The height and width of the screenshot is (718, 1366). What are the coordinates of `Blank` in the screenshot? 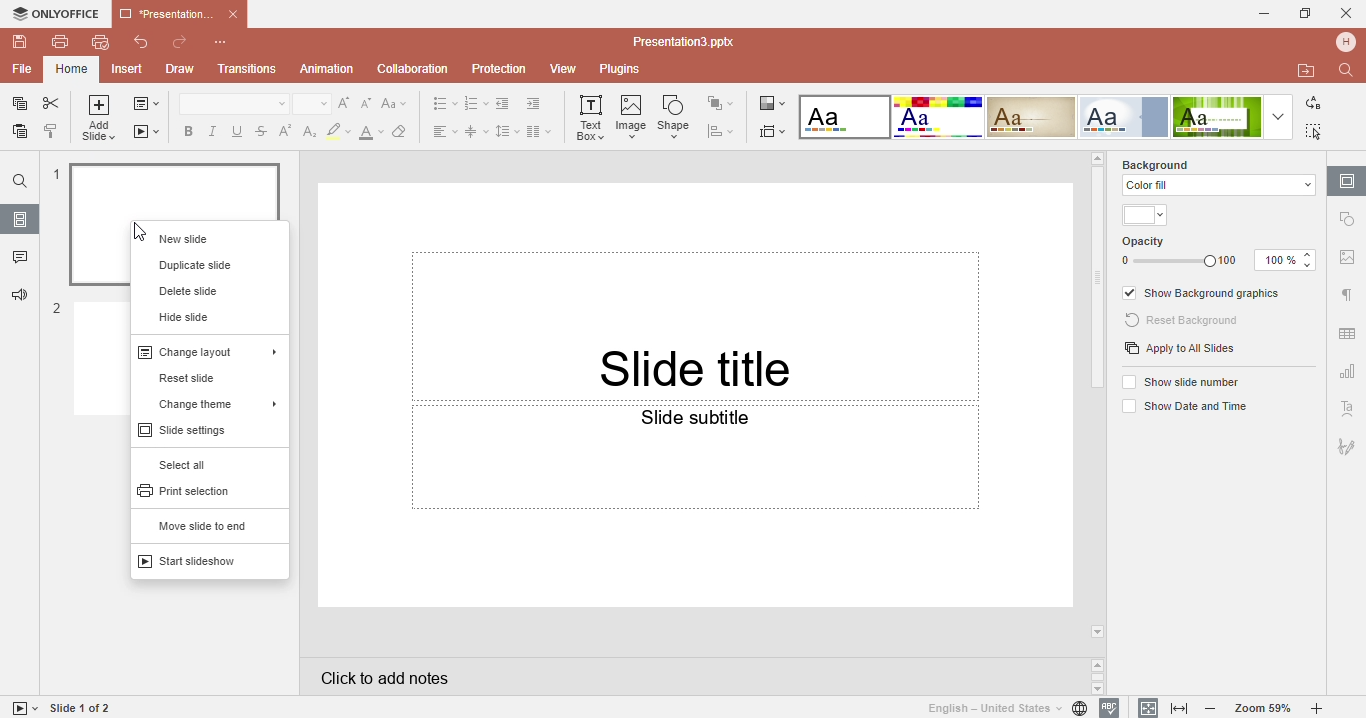 It's located at (844, 117).